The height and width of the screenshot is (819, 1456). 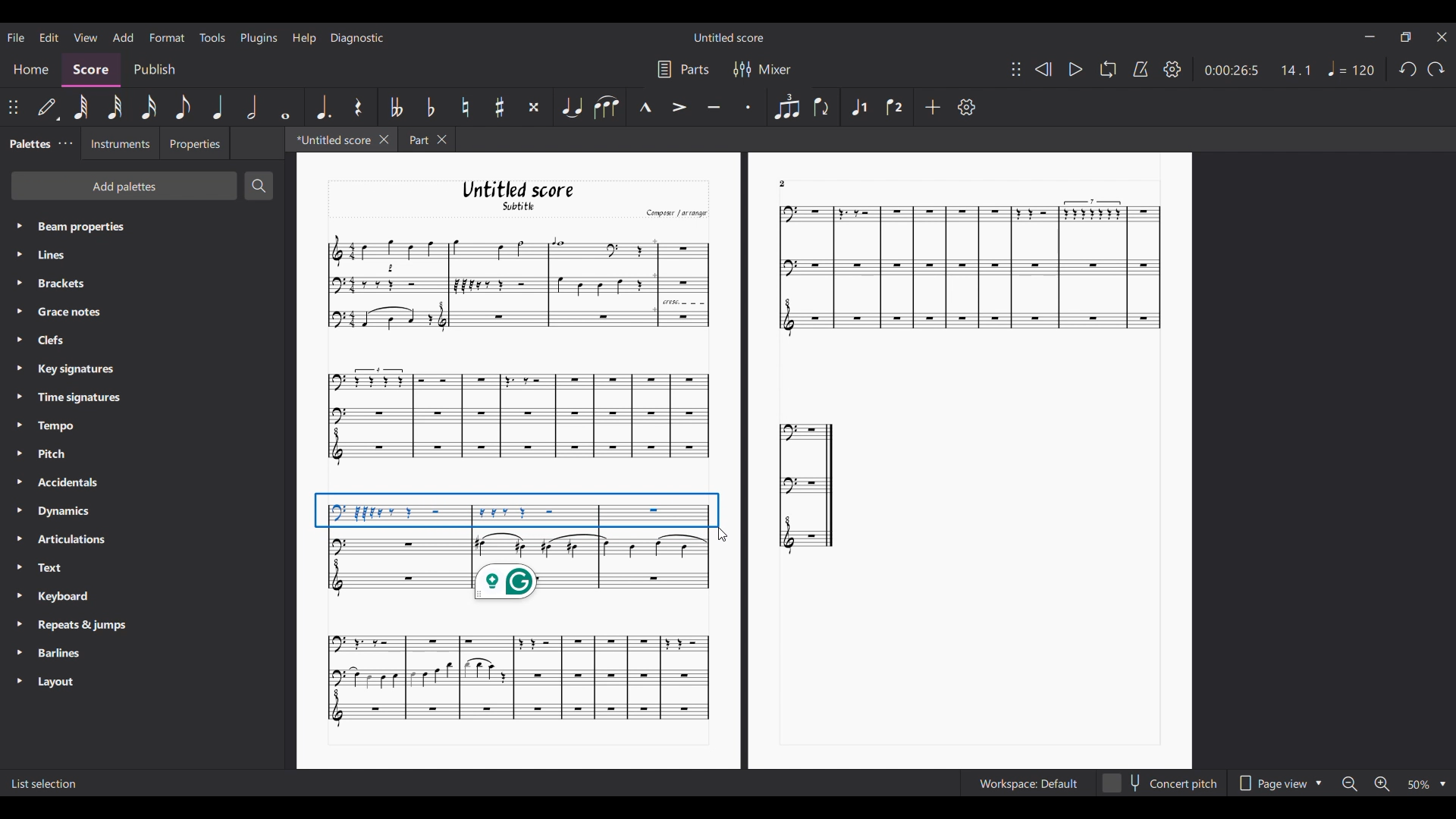 I want to click on Toggle flat, so click(x=430, y=106).